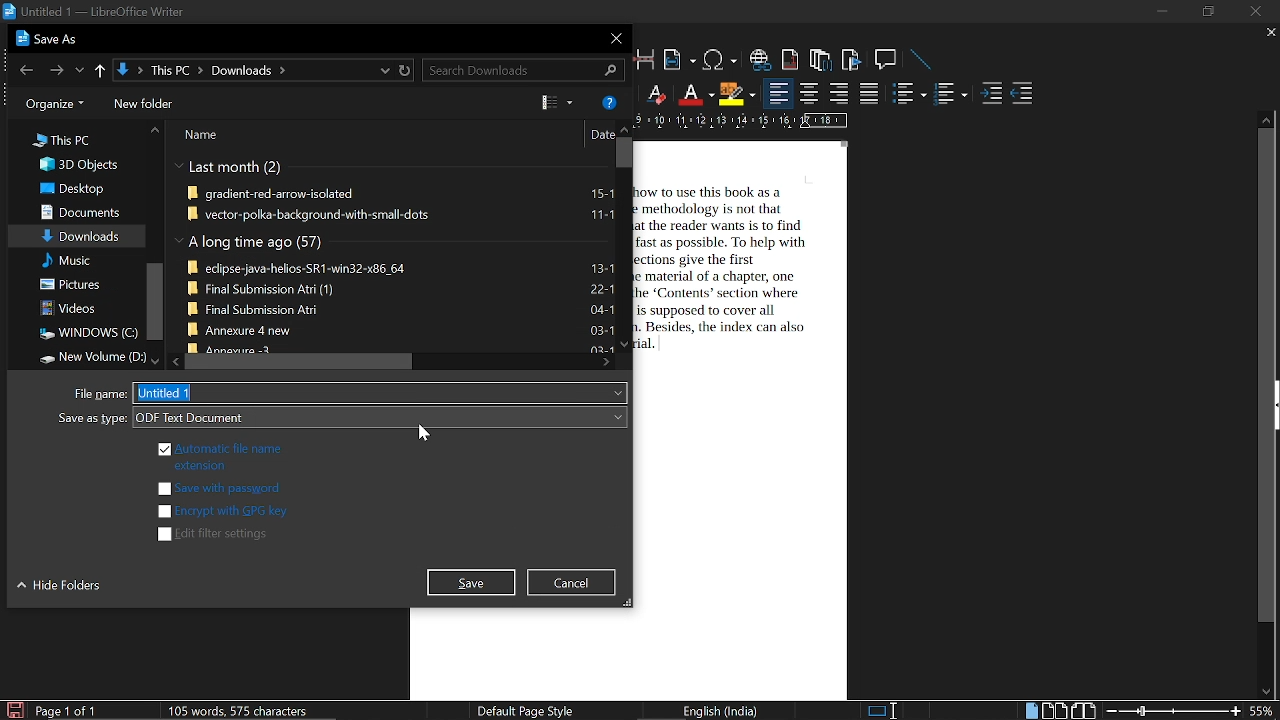 Image resolution: width=1280 pixels, height=720 pixels. What do you see at coordinates (220, 489) in the screenshot?
I see `save with passwords` at bounding box center [220, 489].